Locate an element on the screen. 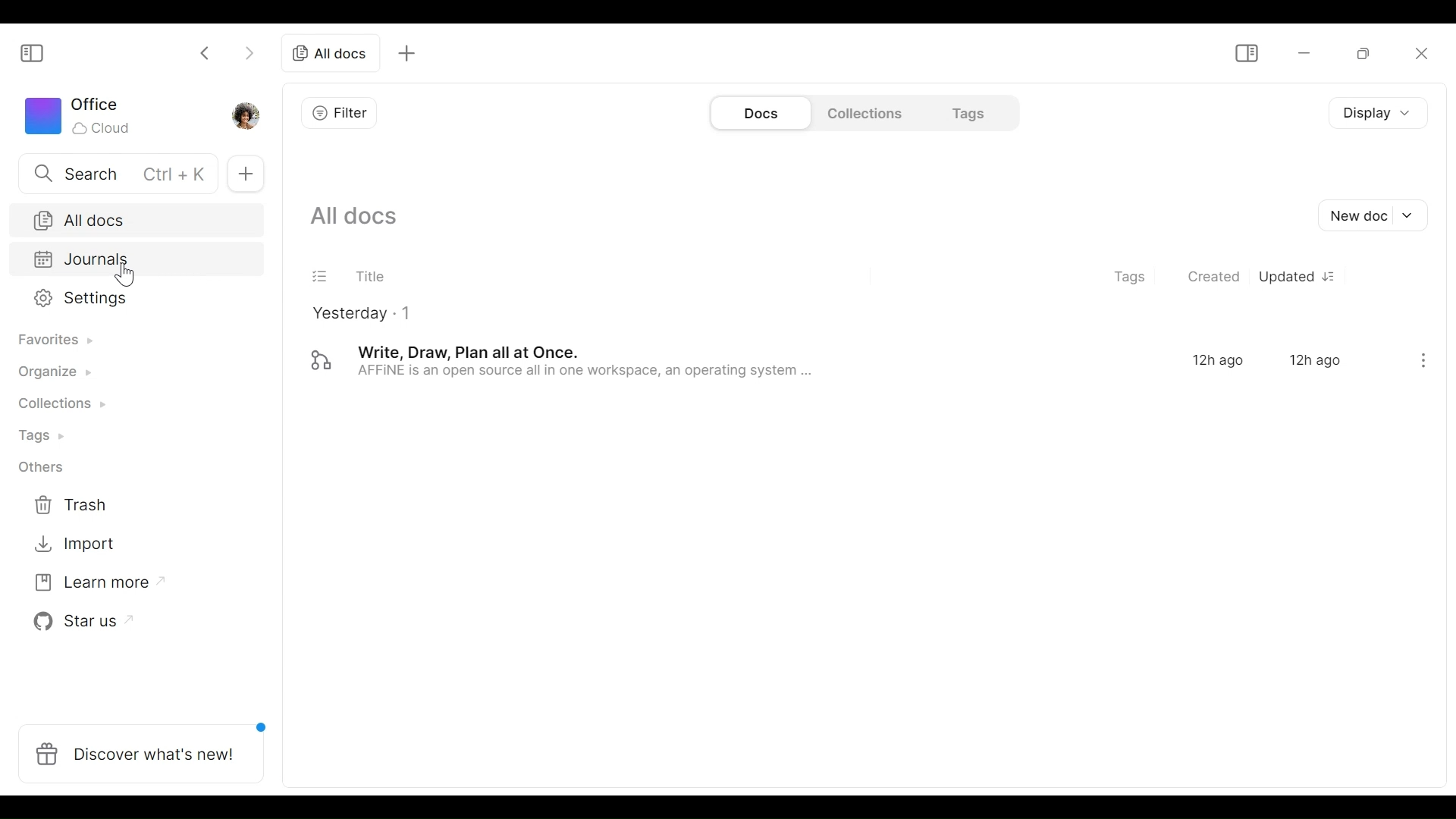 This screenshot has height=819, width=1456. All documents is located at coordinates (131, 218).